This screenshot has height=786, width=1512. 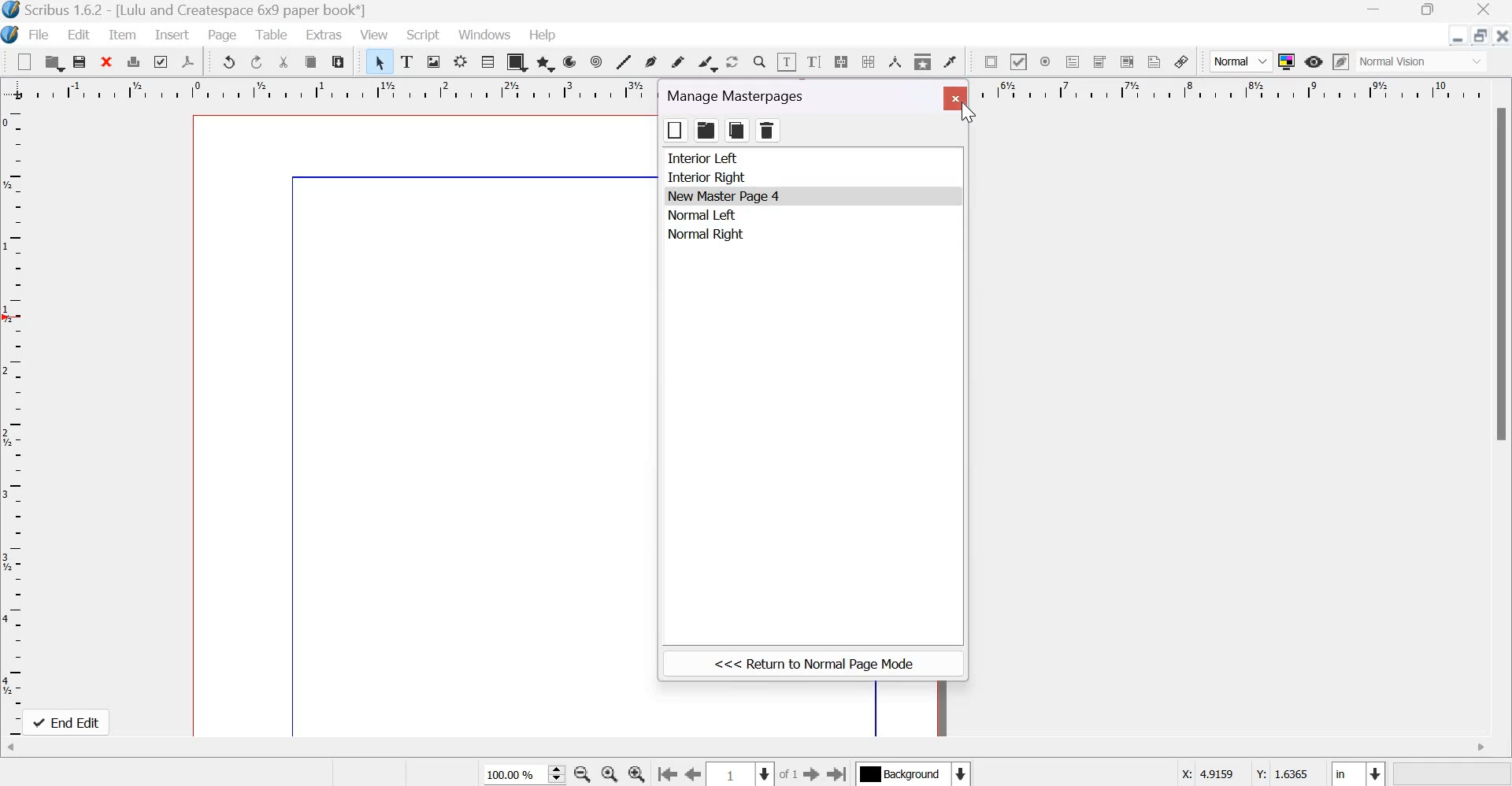 What do you see at coordinates (665, 773) in the screenshot?
I see `go to the first page` at bounding box center [665, 773].